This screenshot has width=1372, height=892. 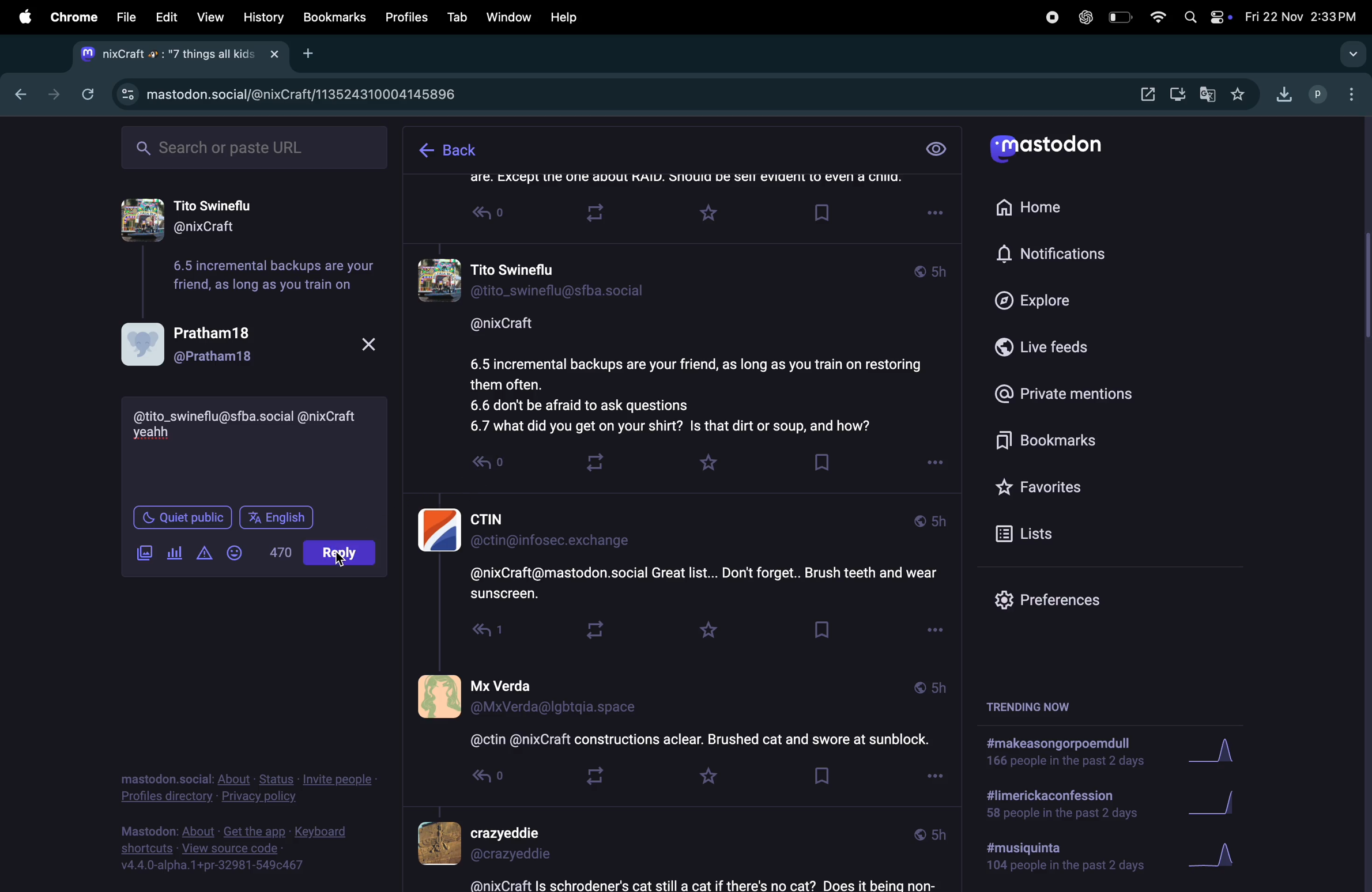 I want to click on comment, so click(x=154, y=435).